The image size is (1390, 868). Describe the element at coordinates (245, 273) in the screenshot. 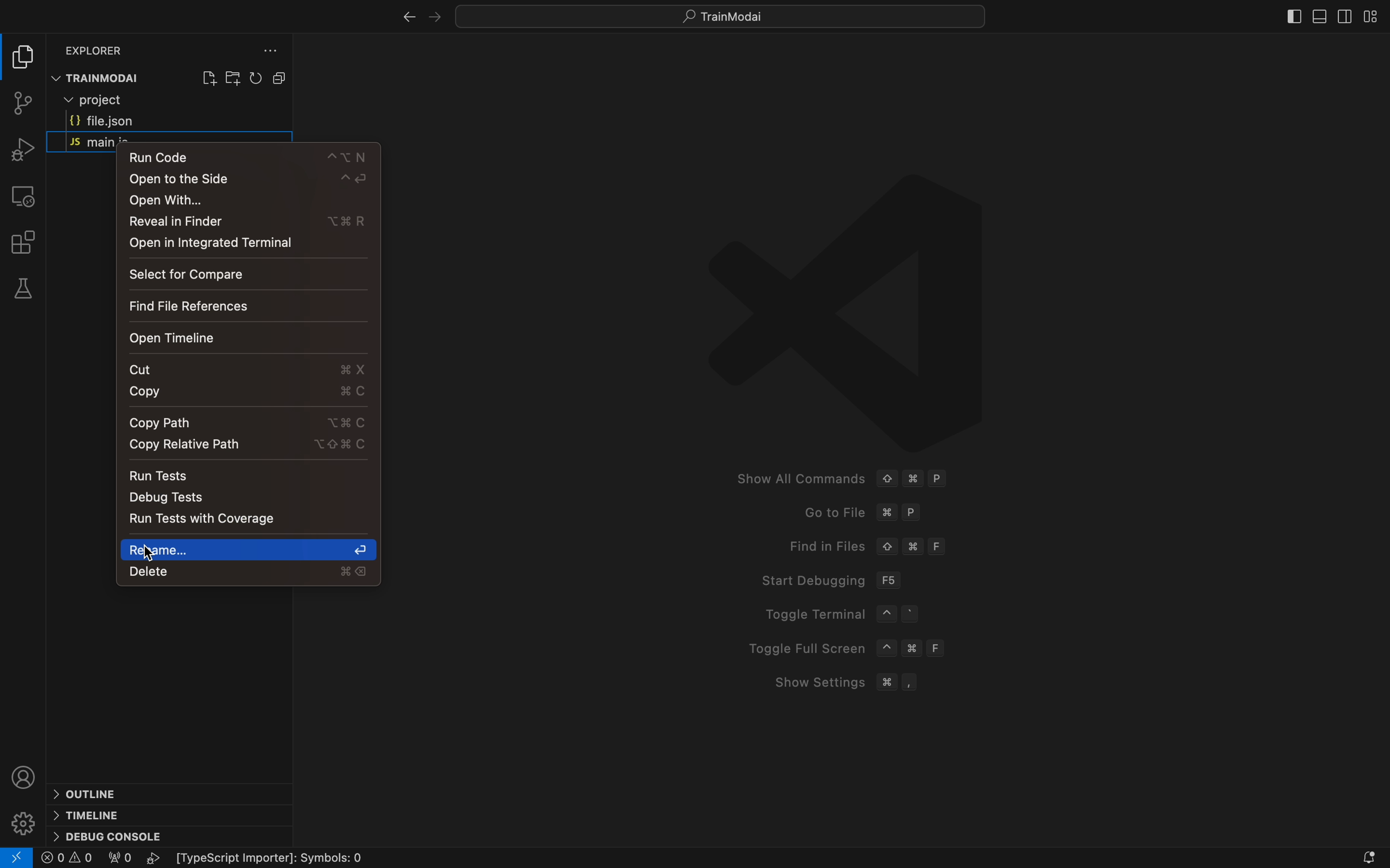

I see `select for compare` at that location.